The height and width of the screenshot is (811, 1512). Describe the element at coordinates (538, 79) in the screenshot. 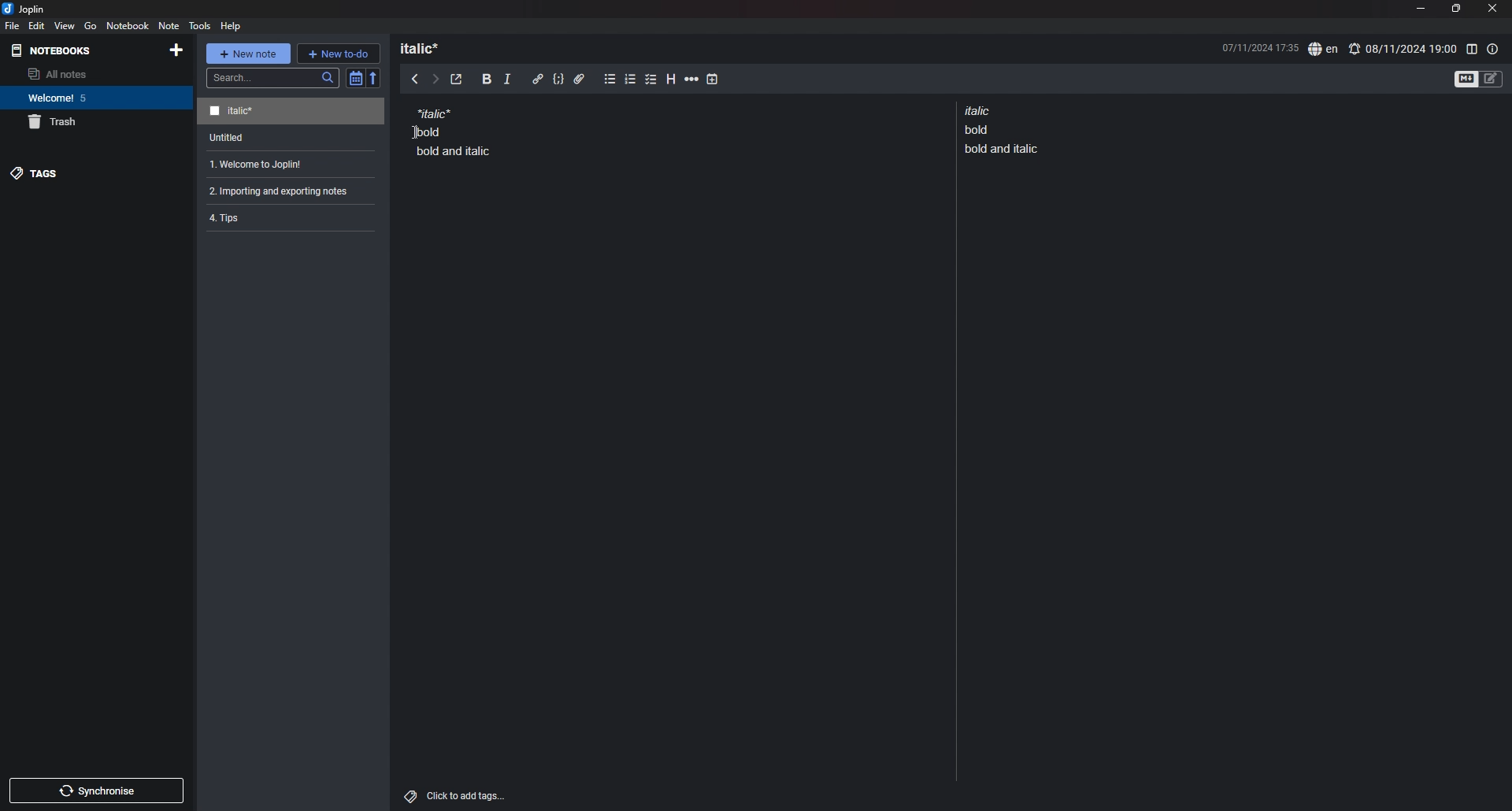

I see `hyperlink` at that location.